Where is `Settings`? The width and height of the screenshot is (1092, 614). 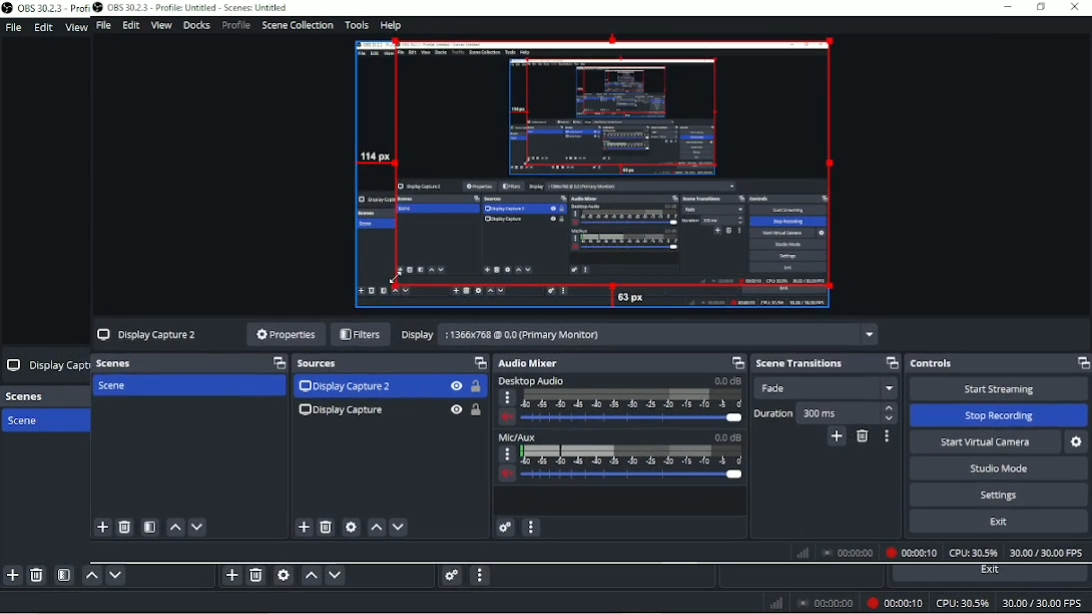 Settings is located at coordinates (1077, 440).